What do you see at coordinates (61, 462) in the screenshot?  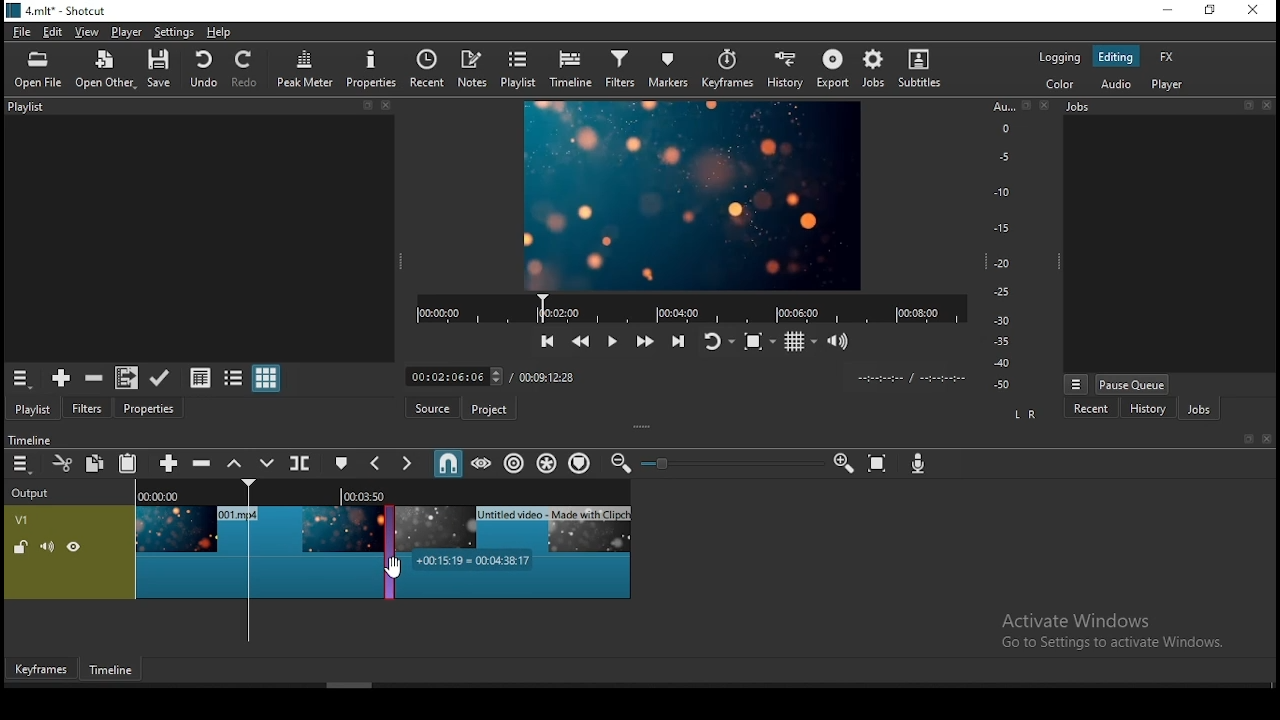 I see `cut` at bounding box center [61, 462].